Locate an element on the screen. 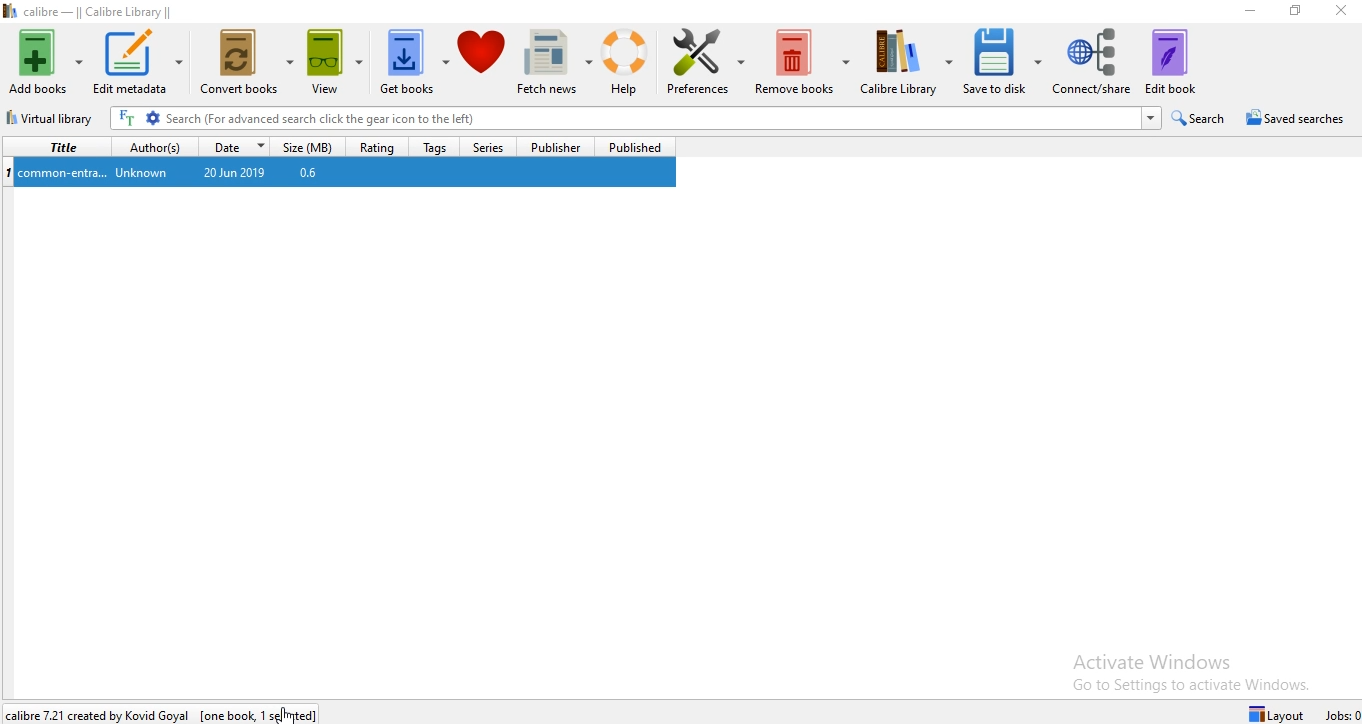  Saved searches is located at coordinates (1295, 119).